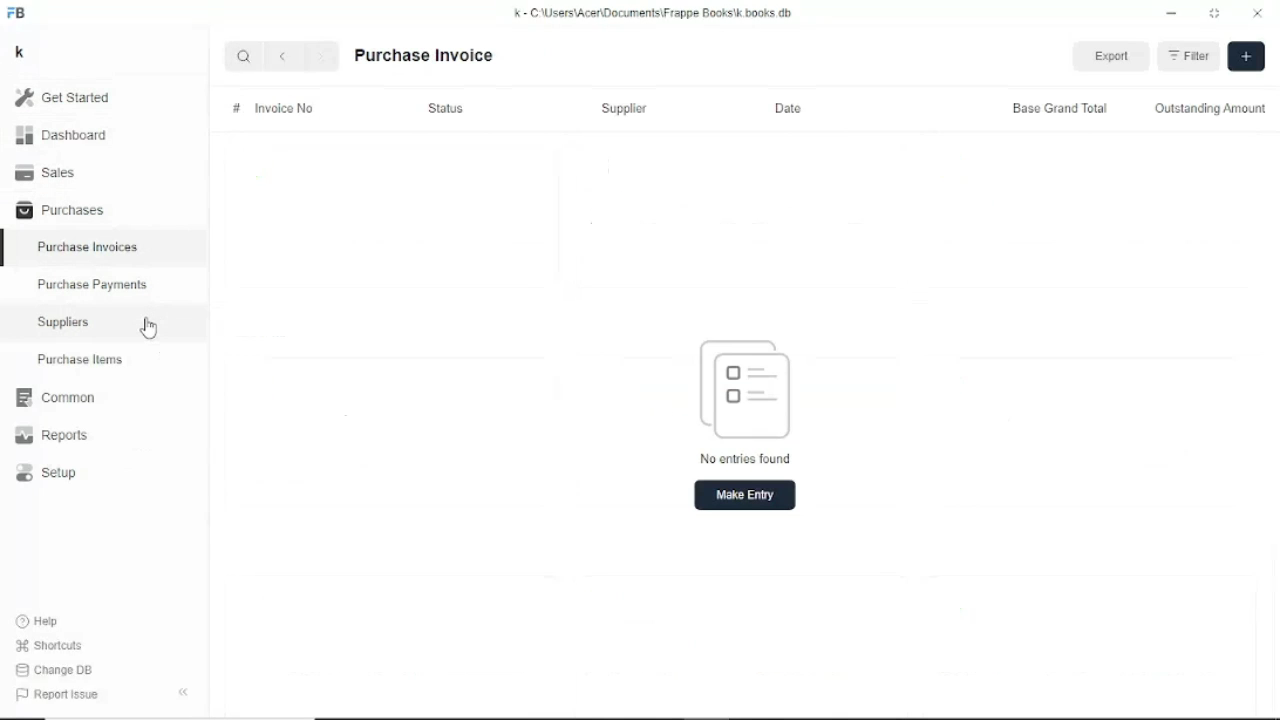 The width and height of the screenshot is (1280, 720). I want to click on Base grand total, so click(1059, 107).